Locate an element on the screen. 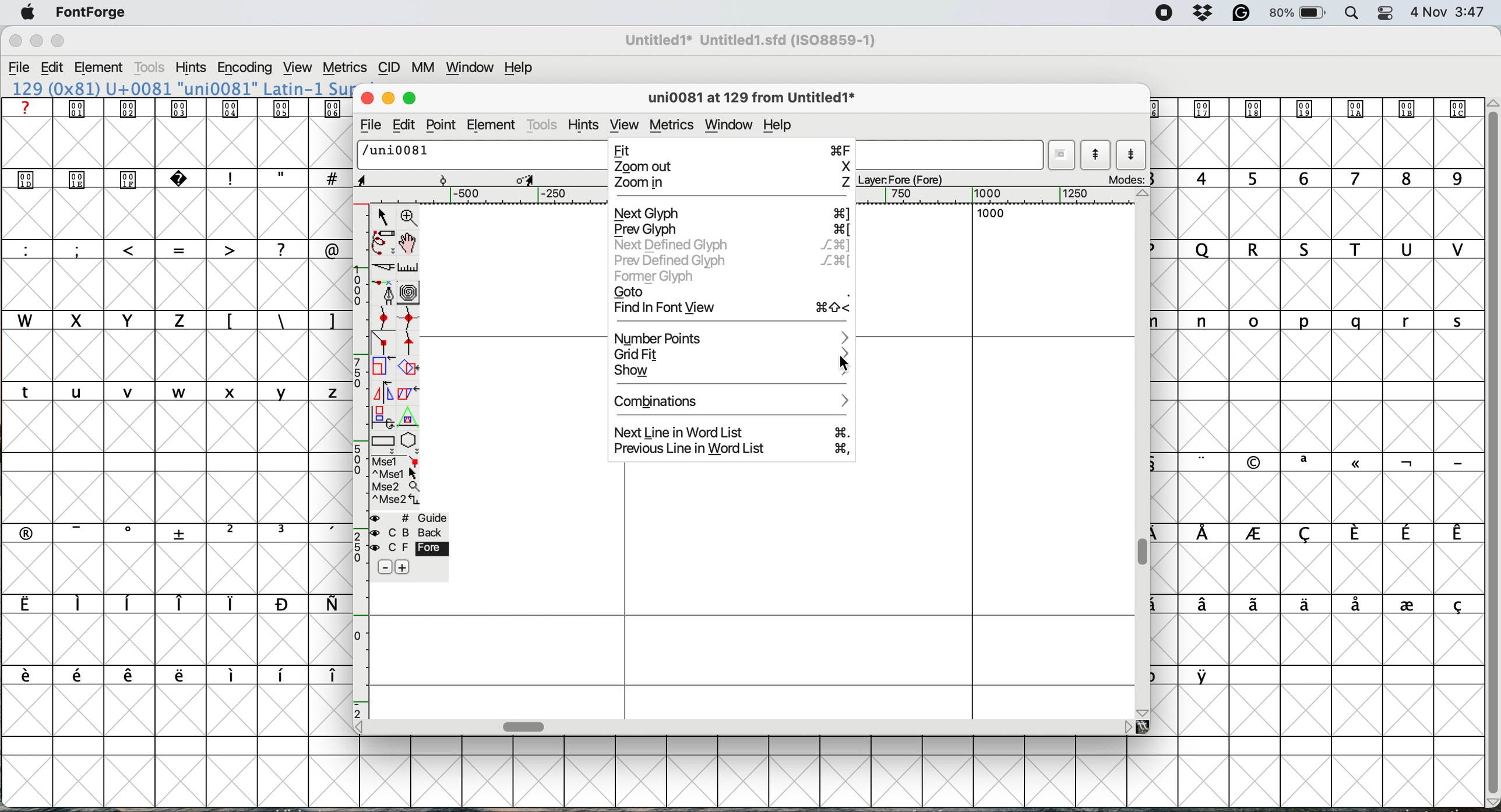 The image size is (1501, 812). CID is located at coordinates (389, 69).